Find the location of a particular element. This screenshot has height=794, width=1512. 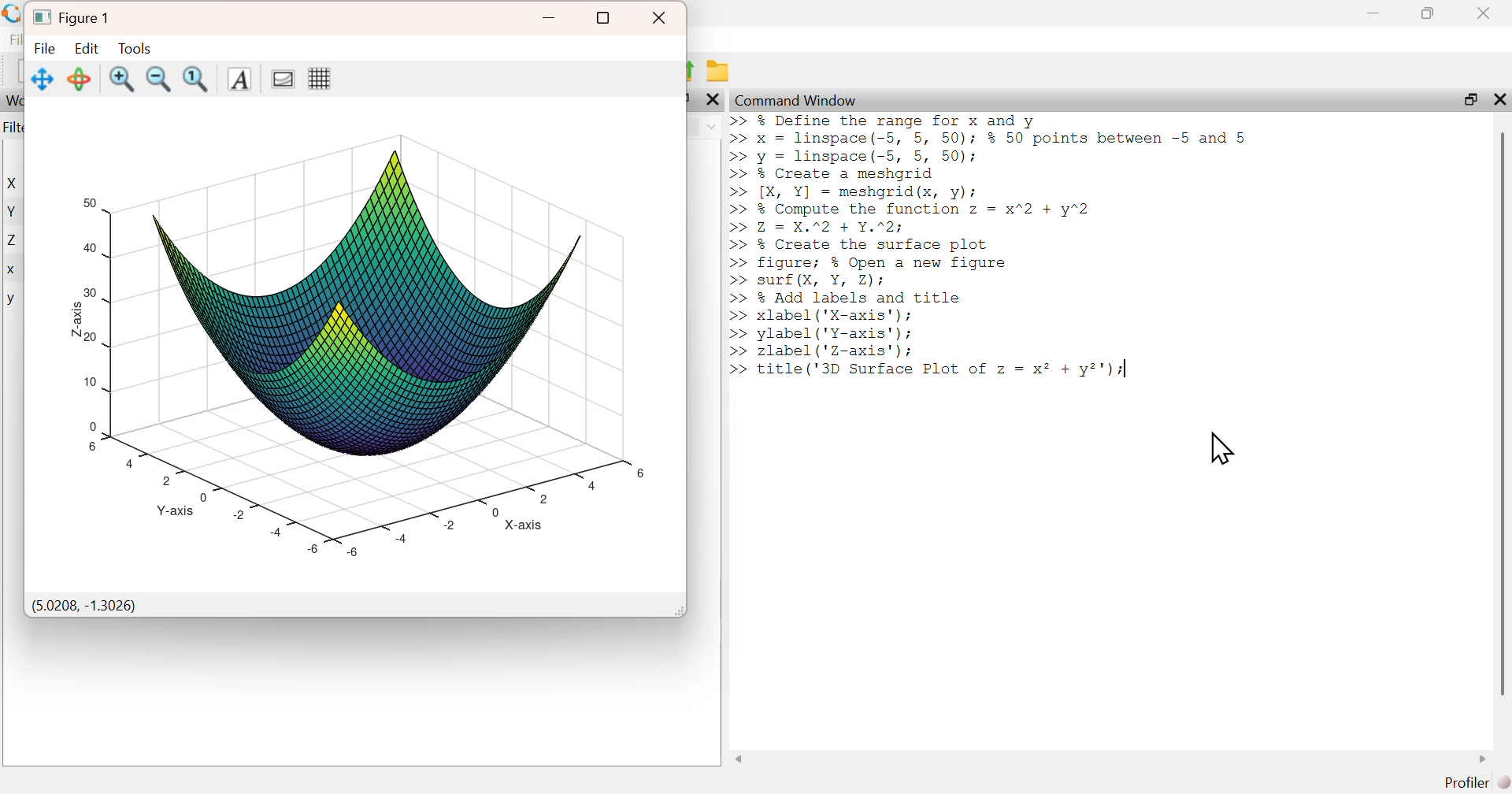

minimize is located at coordinates (550, 18).